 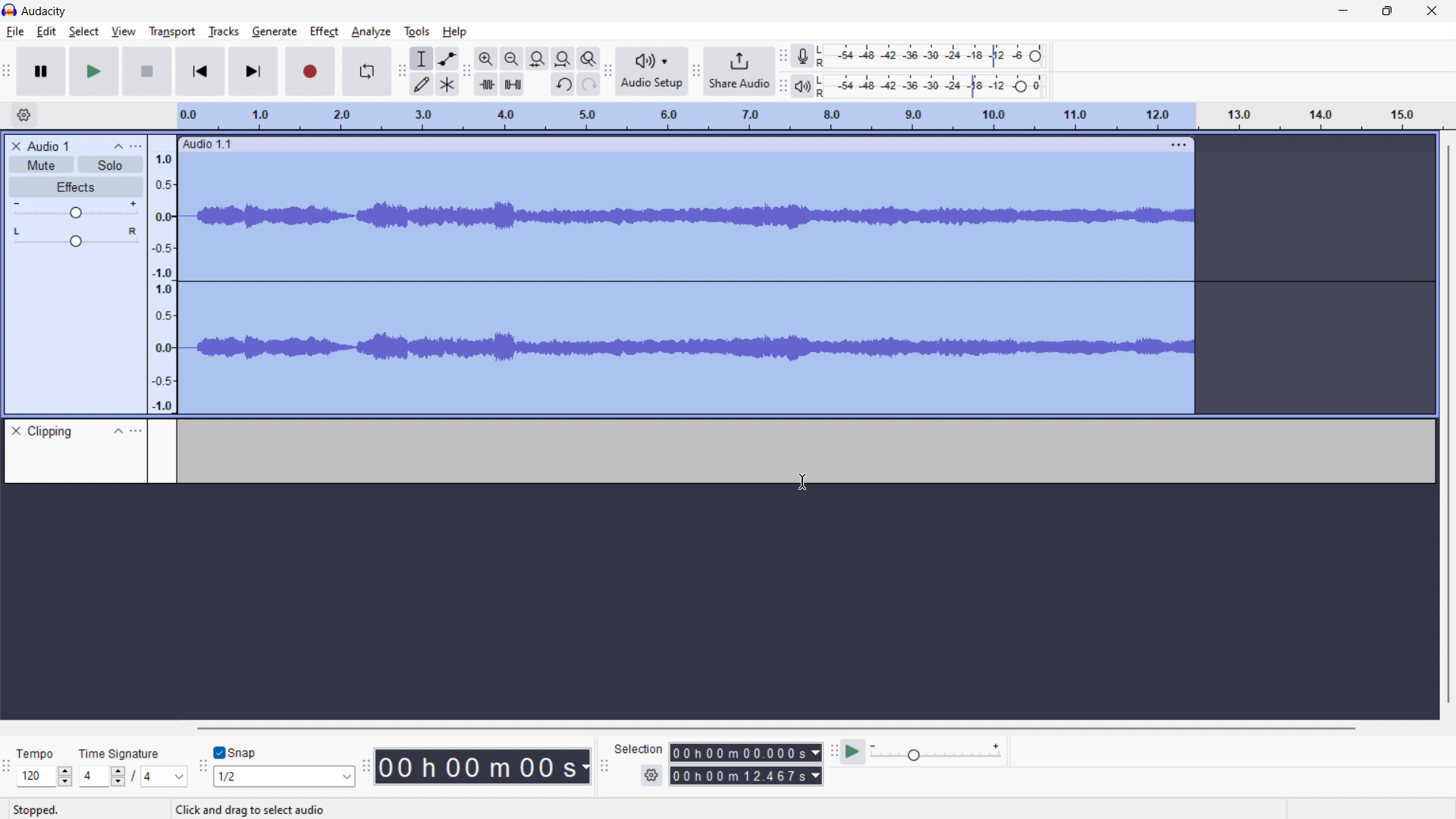 What do you see at coordinates (136, 431) in the screenshot?
I see `option` at bounding box center [136, 431].